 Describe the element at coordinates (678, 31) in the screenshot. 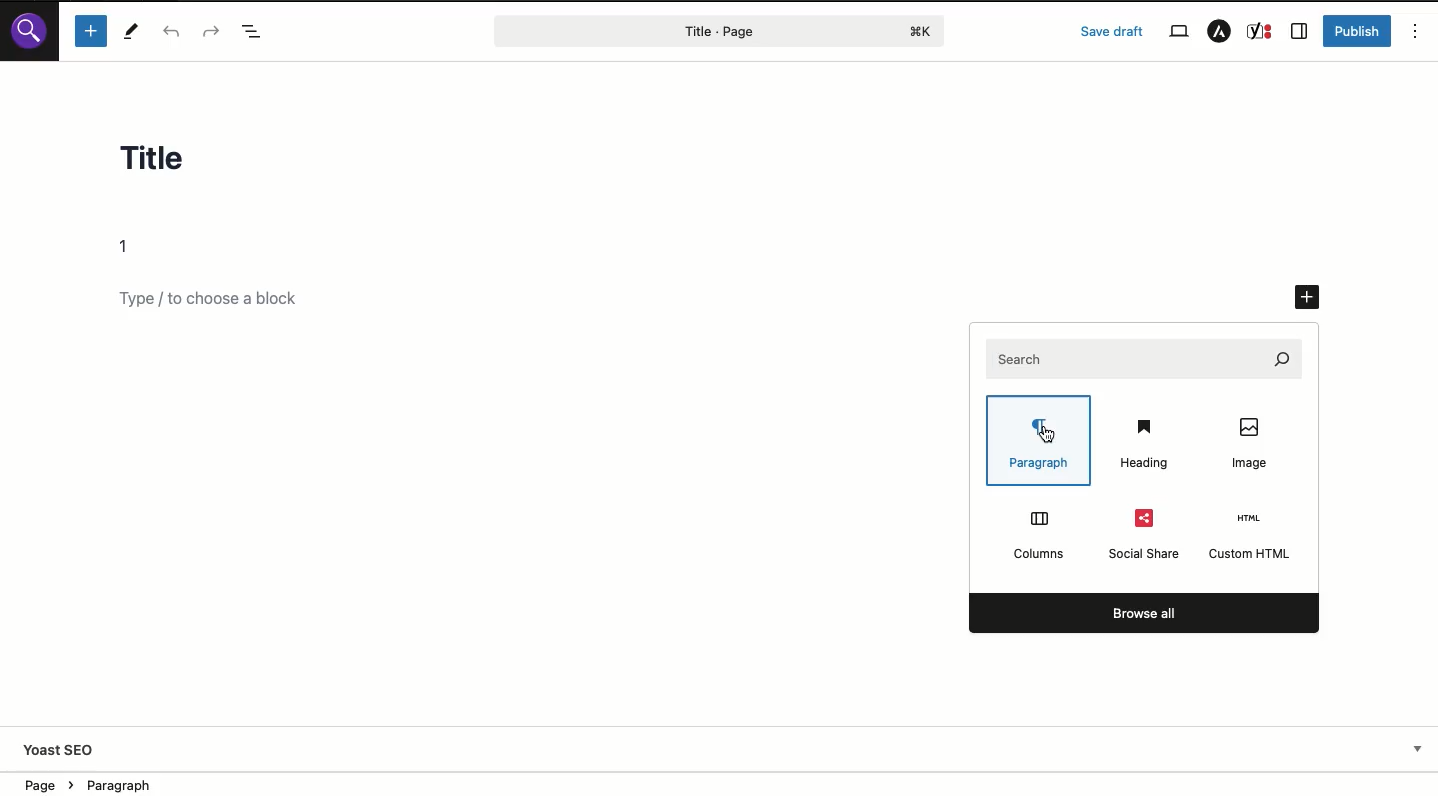

I see `Page` at that location.